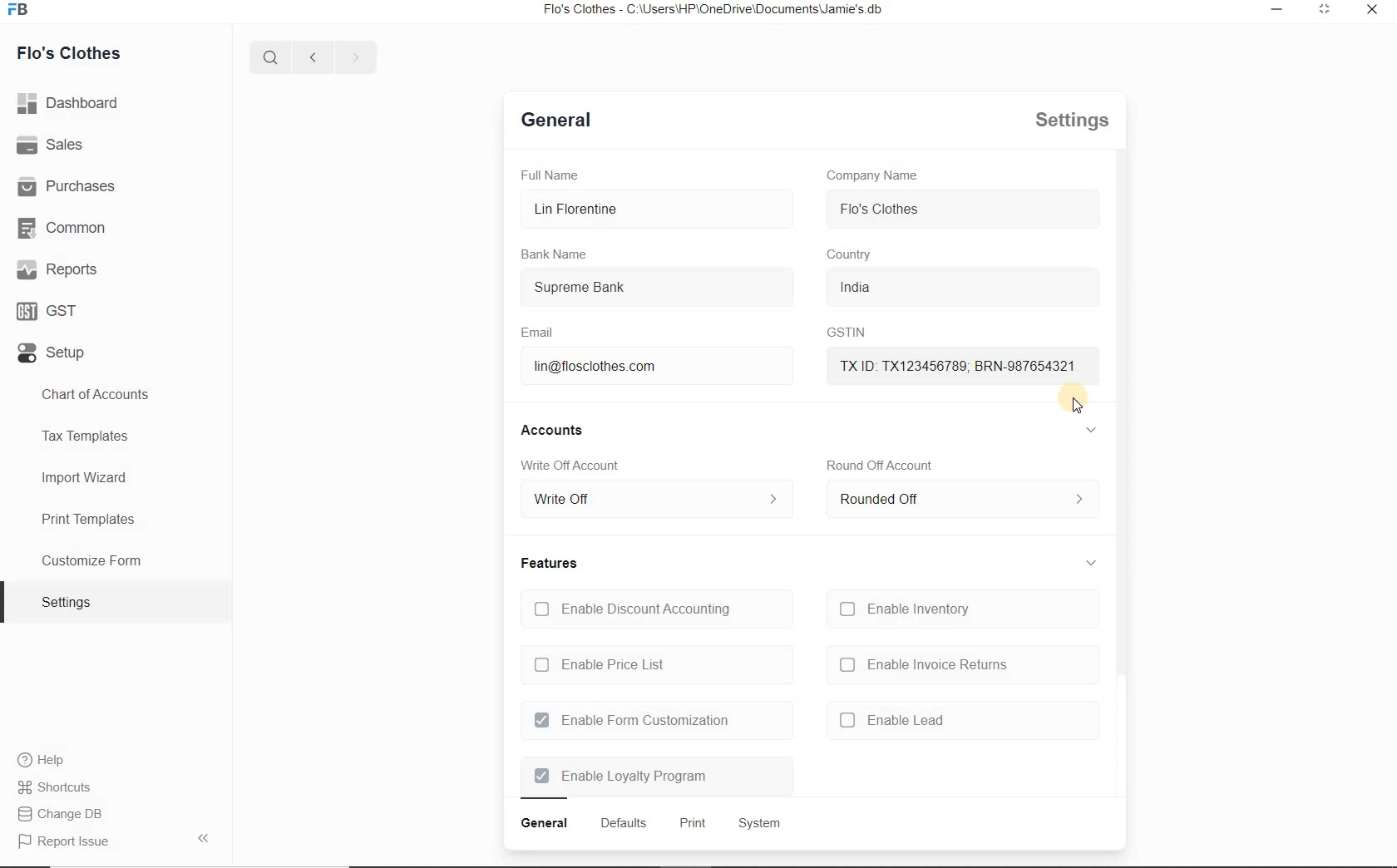 The image size is (1397, 868). Describe the element at coordinates (949, 364) in the screenshot. I see `txid brn` at that location.